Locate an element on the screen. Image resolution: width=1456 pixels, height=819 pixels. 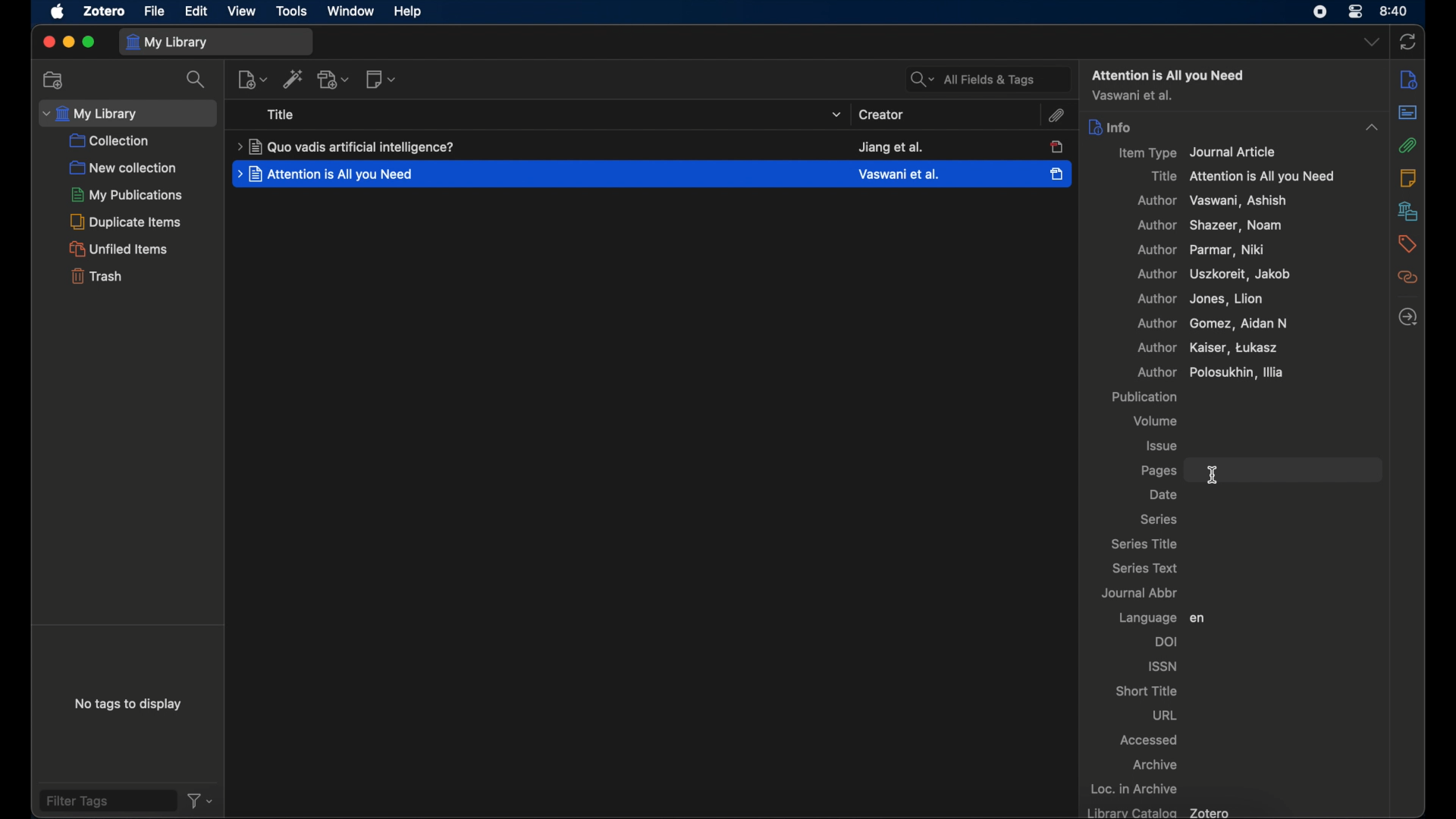
loc. in archive is located at coordinates (1137, 789).